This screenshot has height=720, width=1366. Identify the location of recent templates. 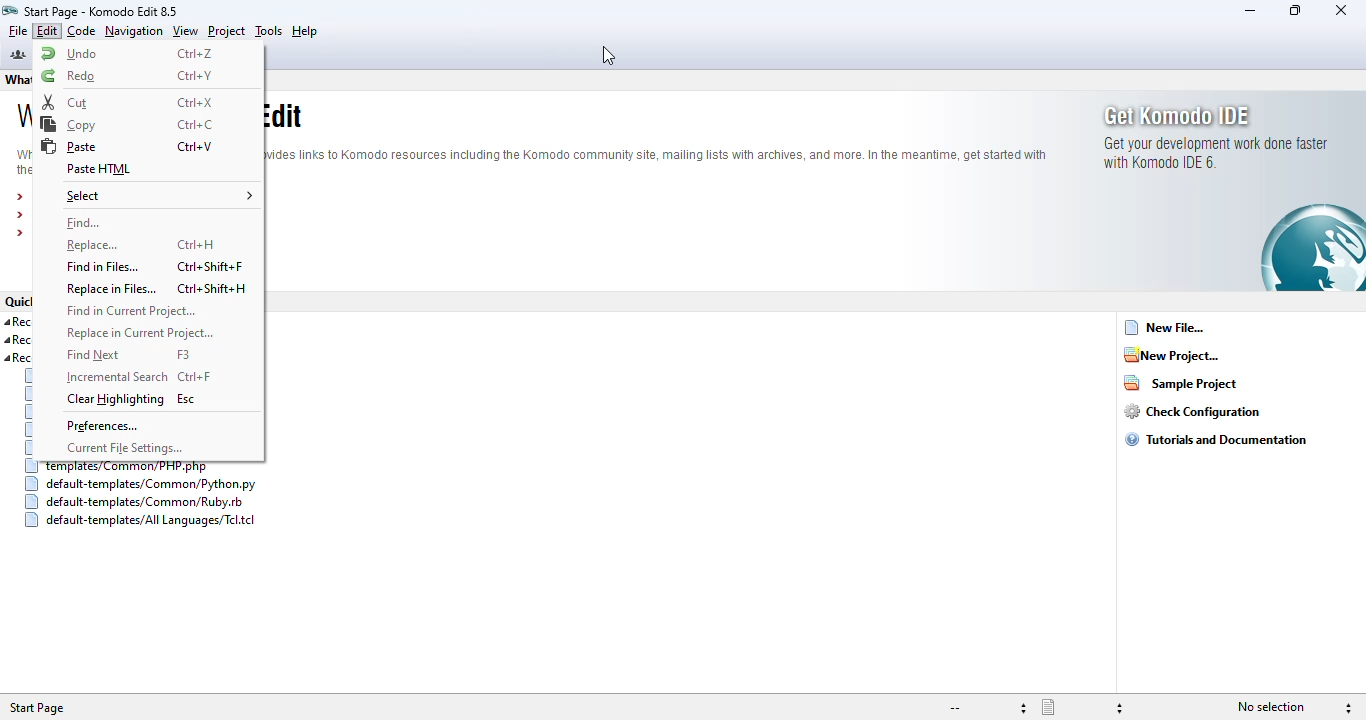
(137, 495).